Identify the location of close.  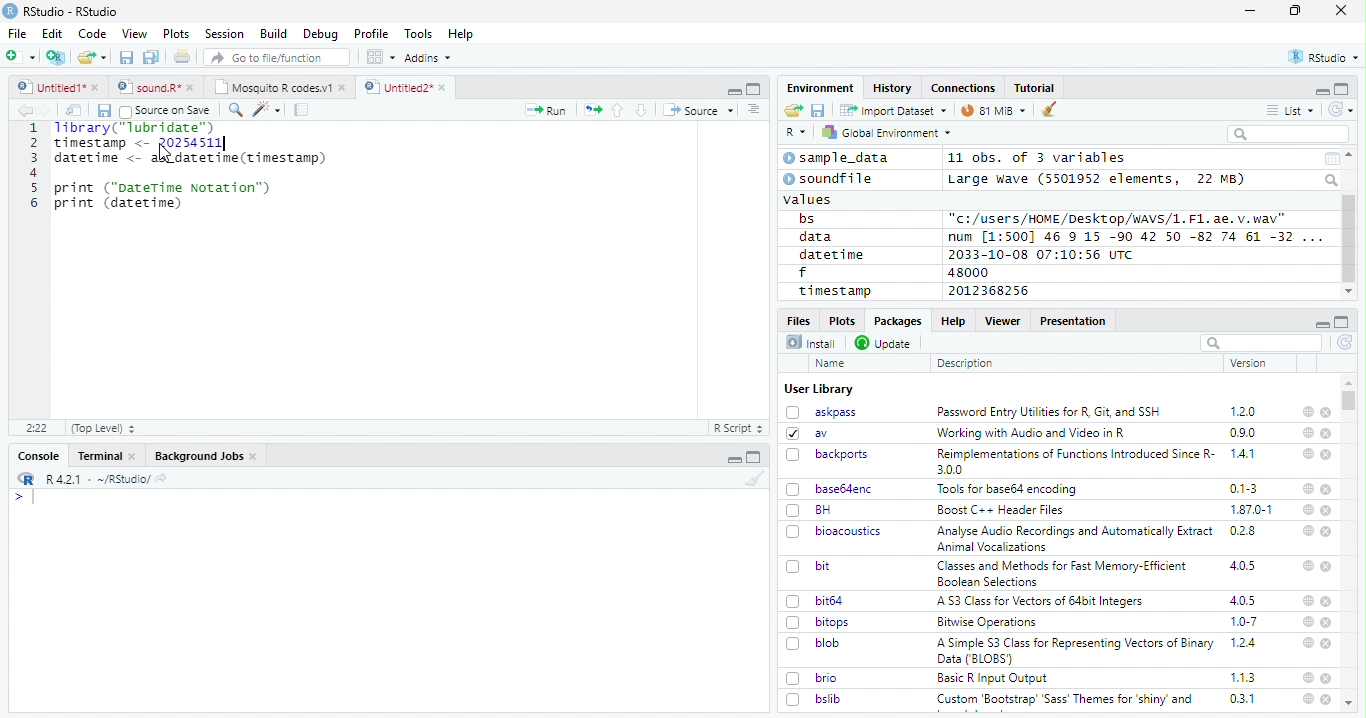
(1326, 489).